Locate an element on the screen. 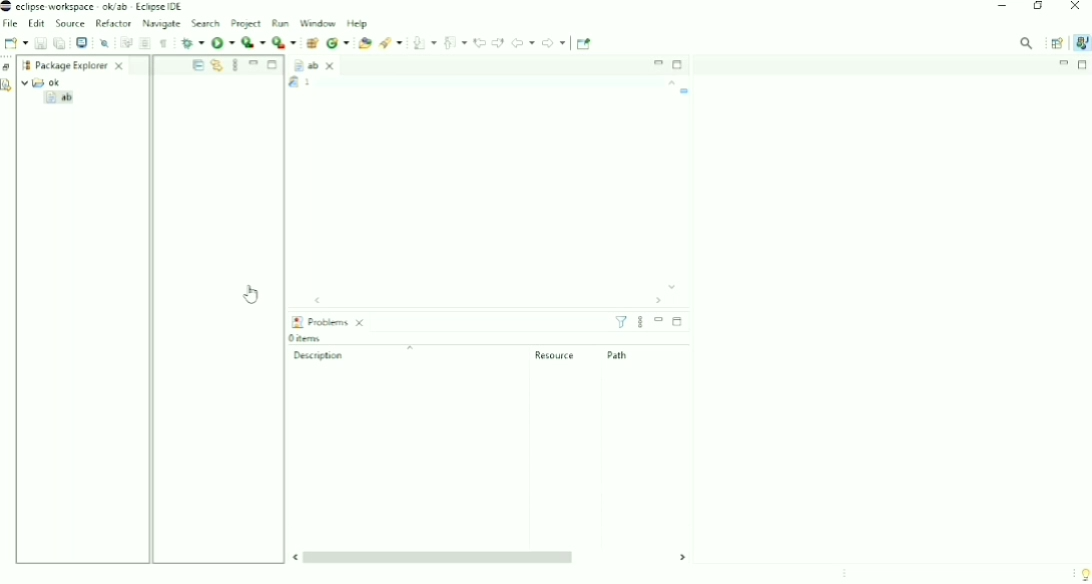 The width and height of the screenshot is (1092, 584). Maximize is located at coordinates (274, 66).